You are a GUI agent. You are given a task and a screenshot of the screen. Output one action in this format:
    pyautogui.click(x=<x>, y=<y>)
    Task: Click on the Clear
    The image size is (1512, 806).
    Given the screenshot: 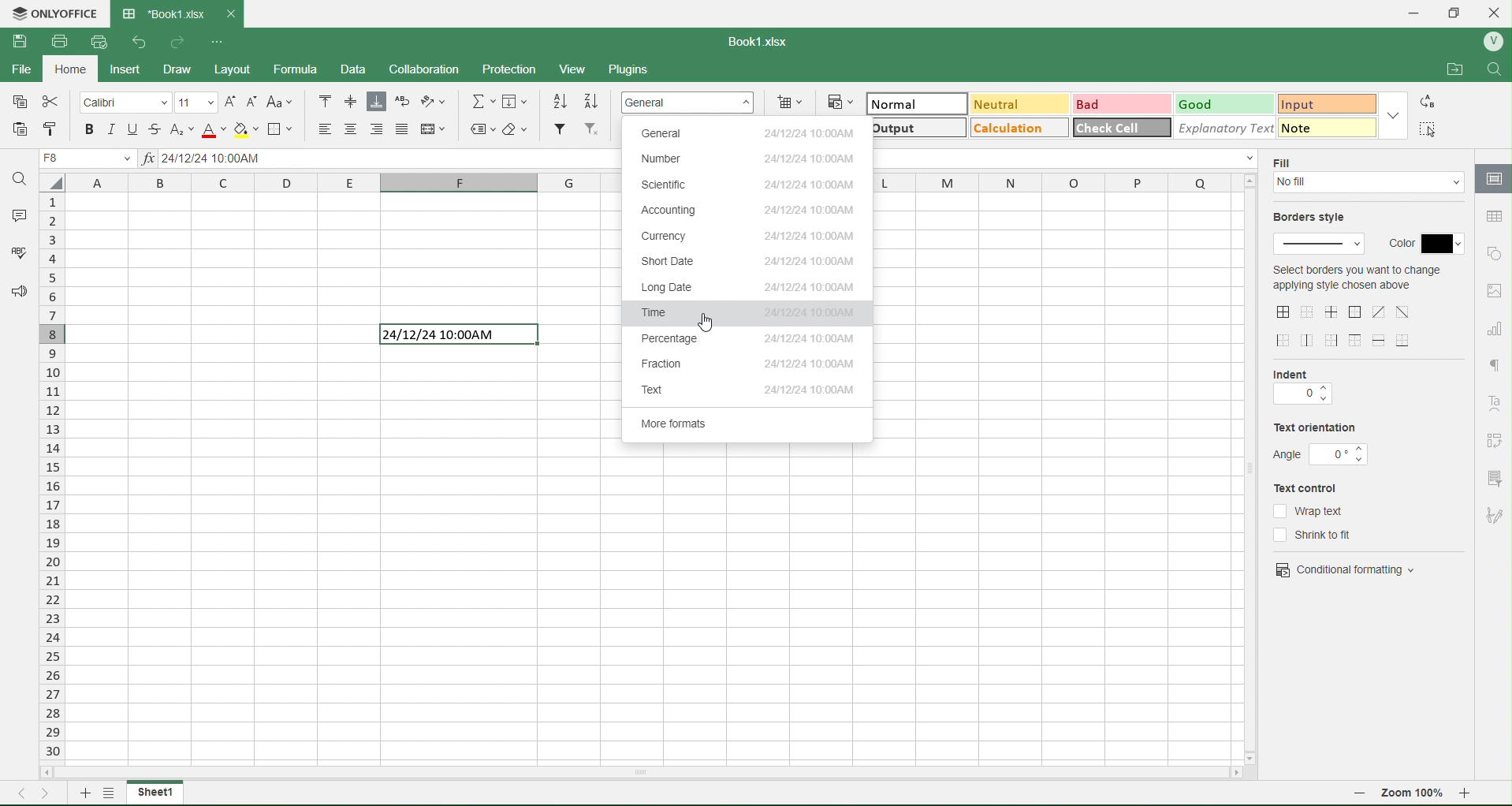 What is the action you would take?
    pyautogui.click(x=519, y=129)
    